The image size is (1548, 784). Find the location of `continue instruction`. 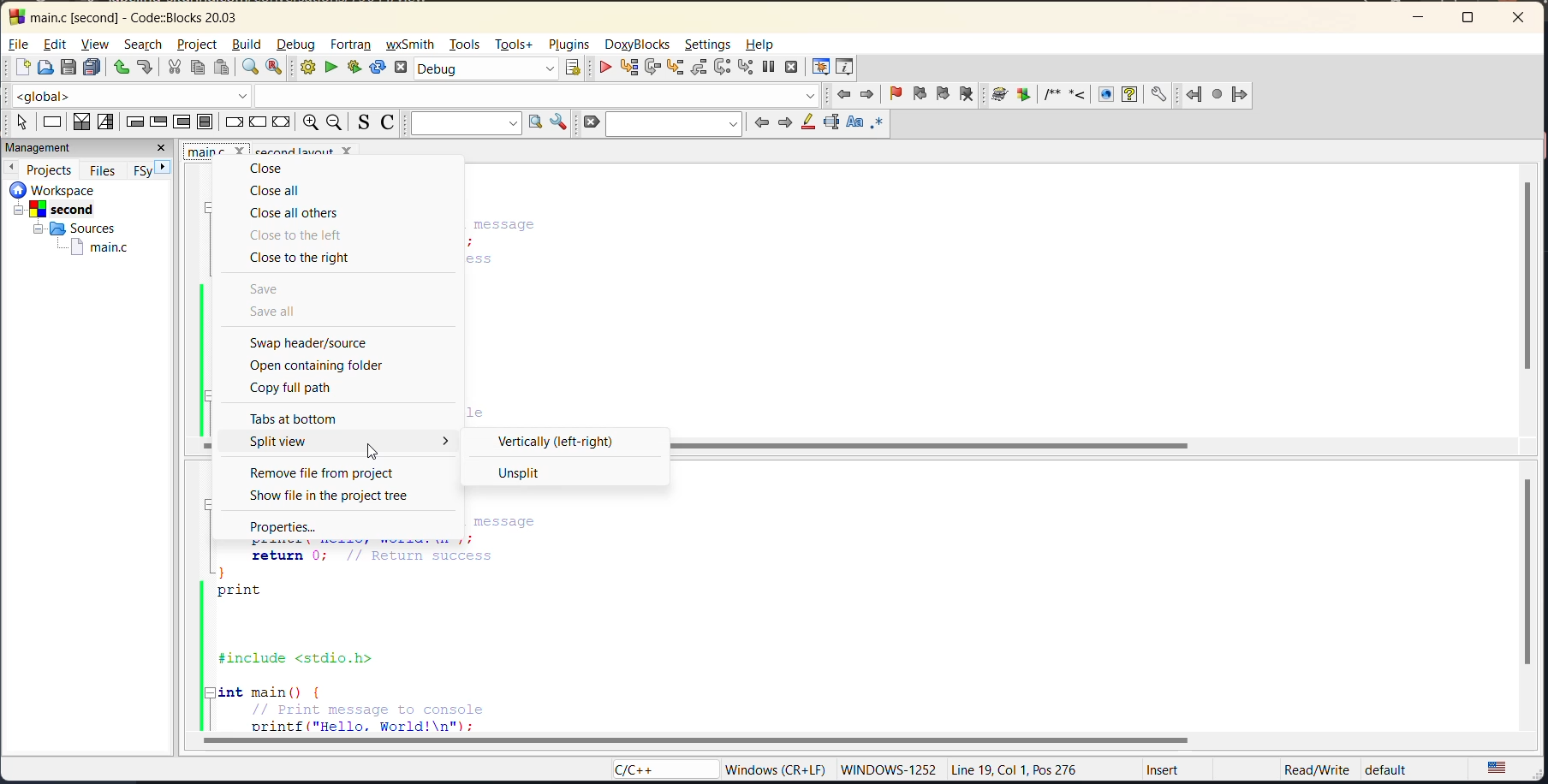

continue instruction is located at coordinates (255, 122).